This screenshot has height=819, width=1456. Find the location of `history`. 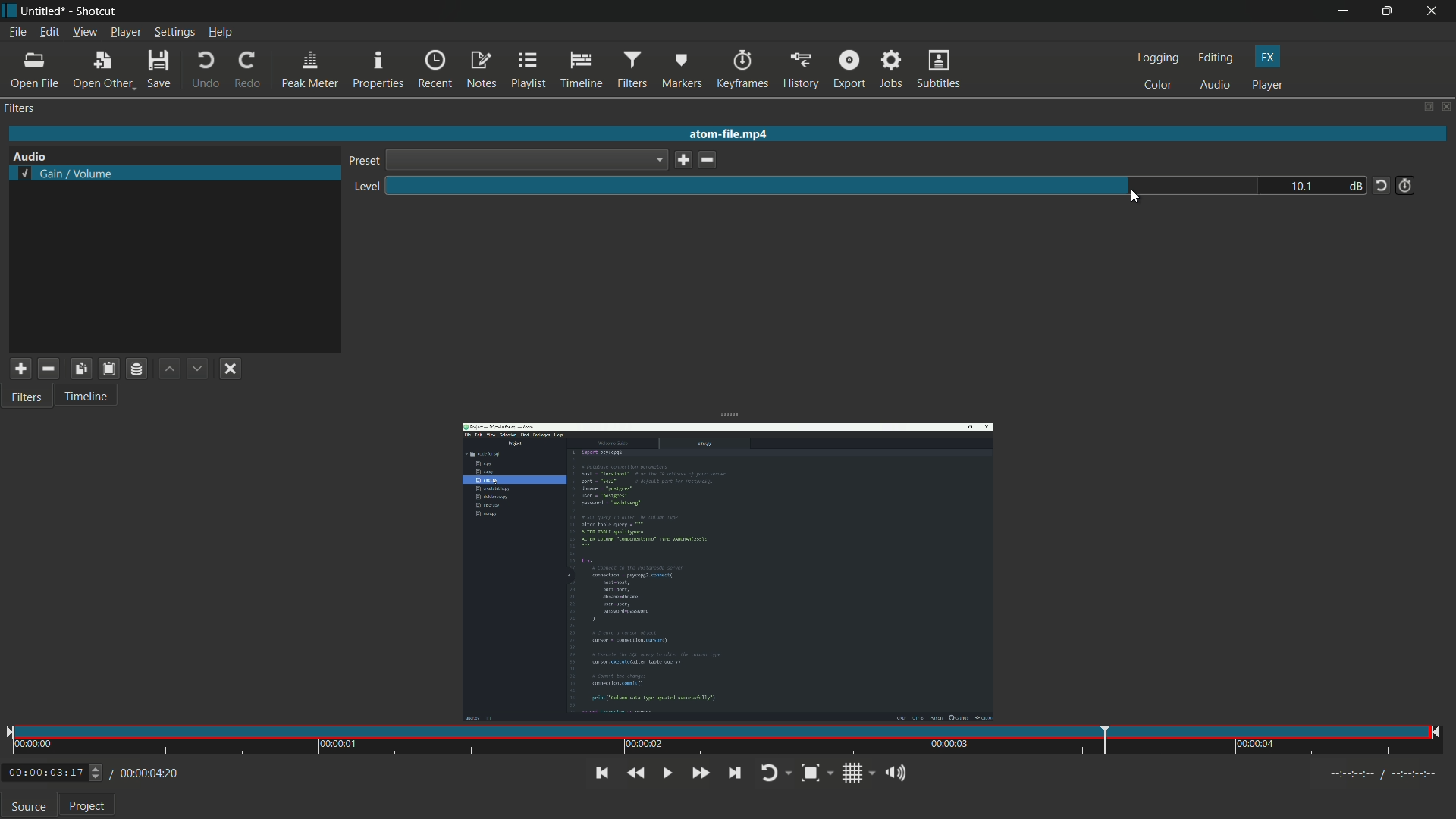

history is located at coordinates (802, 71).